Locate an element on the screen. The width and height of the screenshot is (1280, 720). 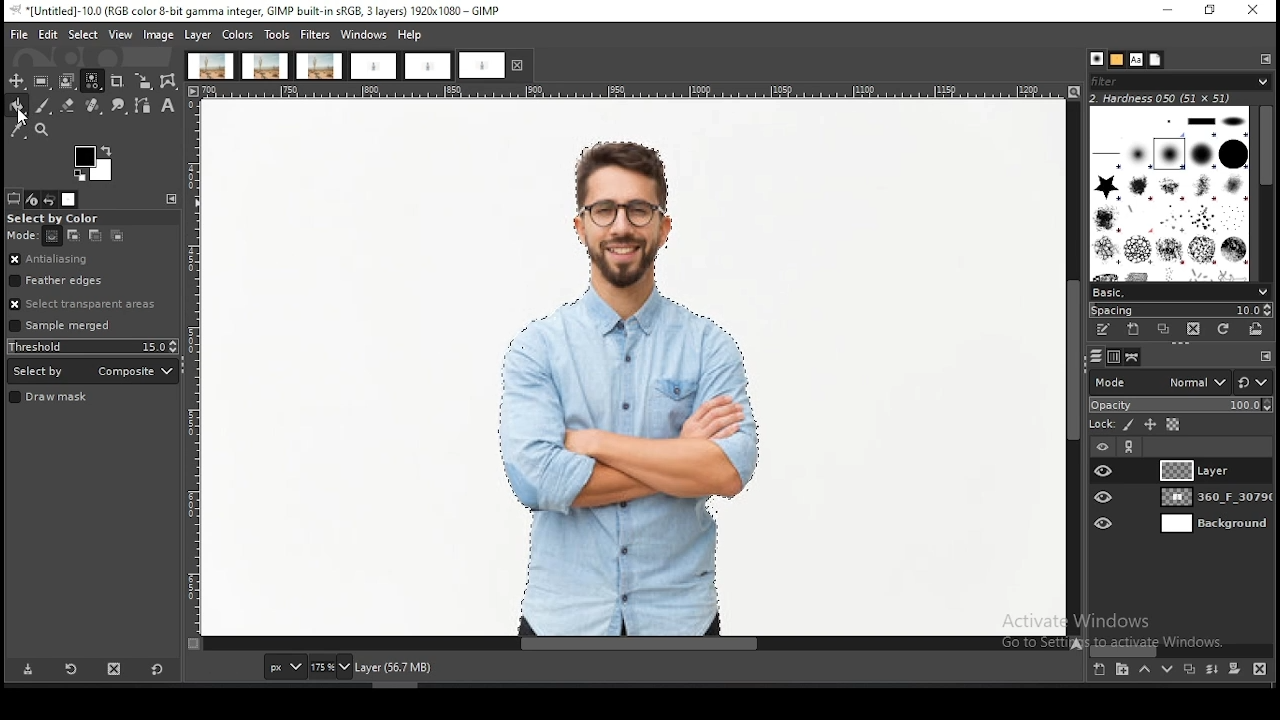
delete layer is located at coordinates (1263, 671).